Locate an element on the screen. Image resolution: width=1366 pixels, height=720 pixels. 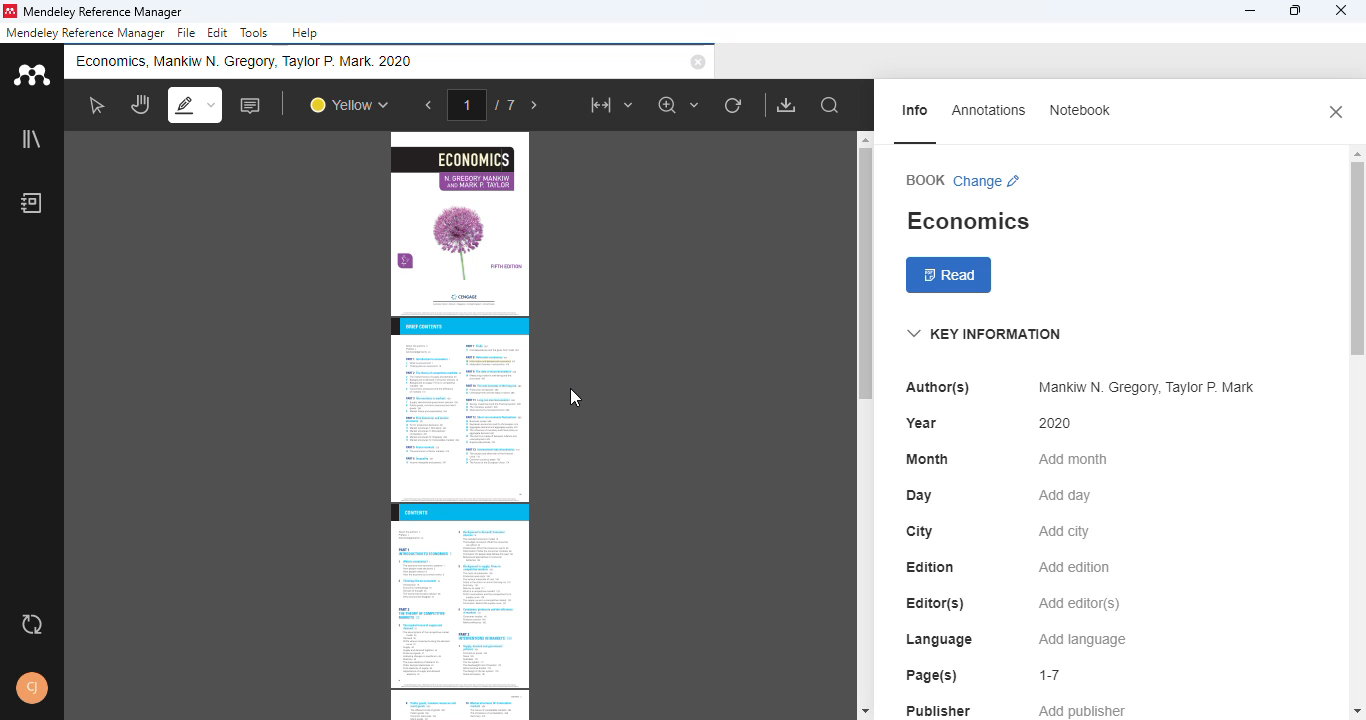
page(s) is located at coordinates (931, 675).